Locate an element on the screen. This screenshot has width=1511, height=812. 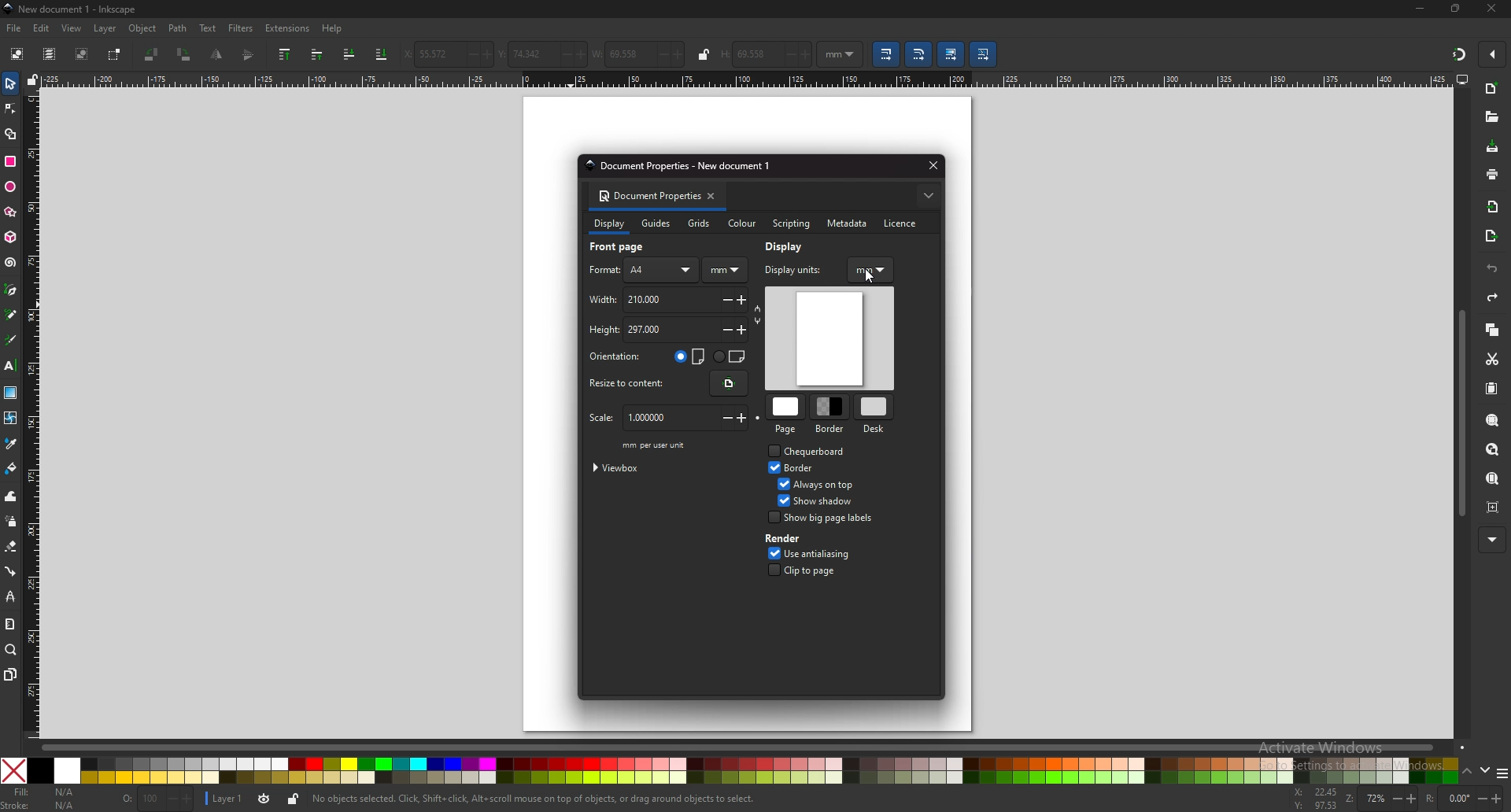
height is located at coordinates (634, 330).